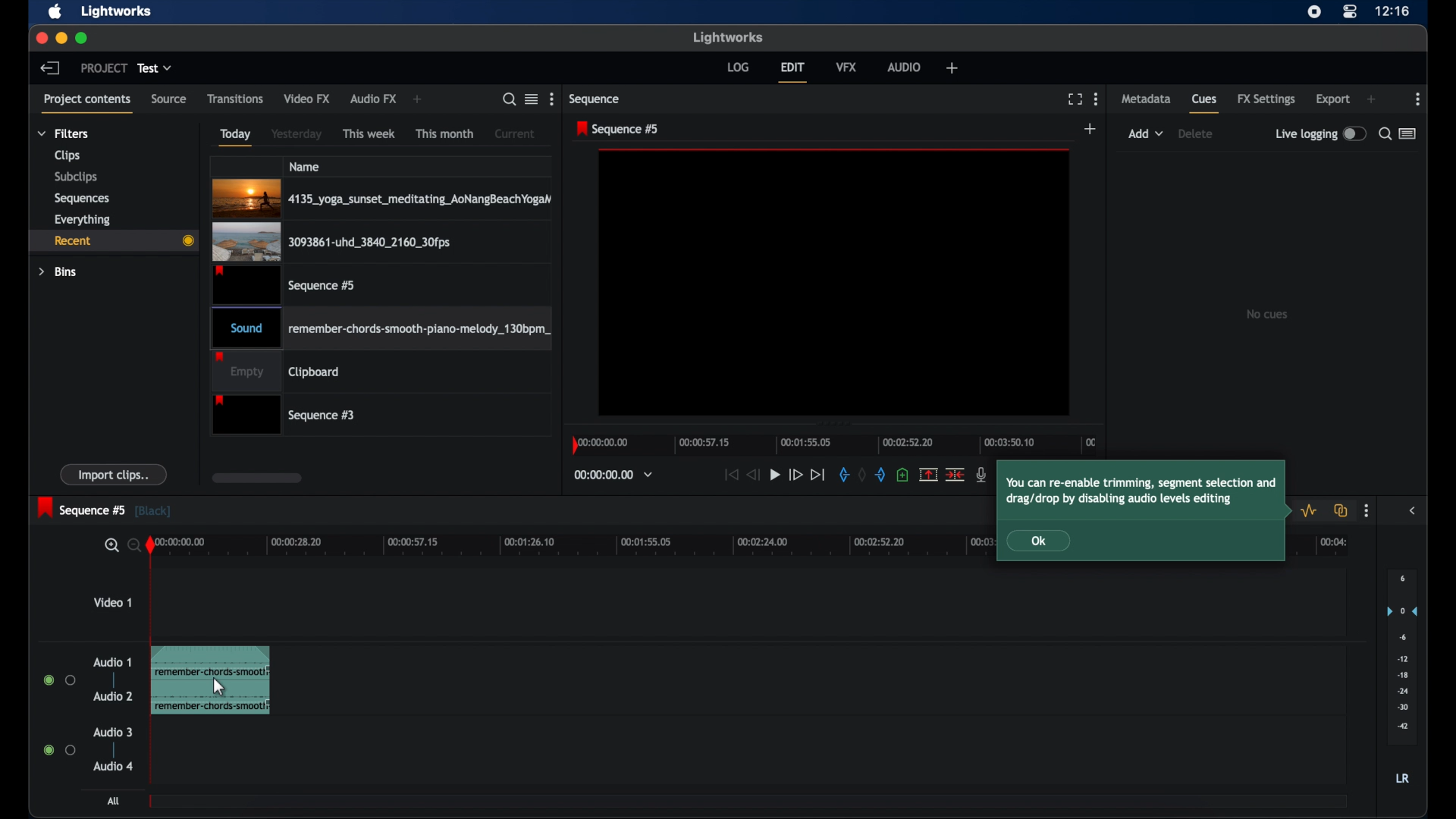  Describe the element at coordinates (881, 475) in the screenshot. I see `out mark` at that location.